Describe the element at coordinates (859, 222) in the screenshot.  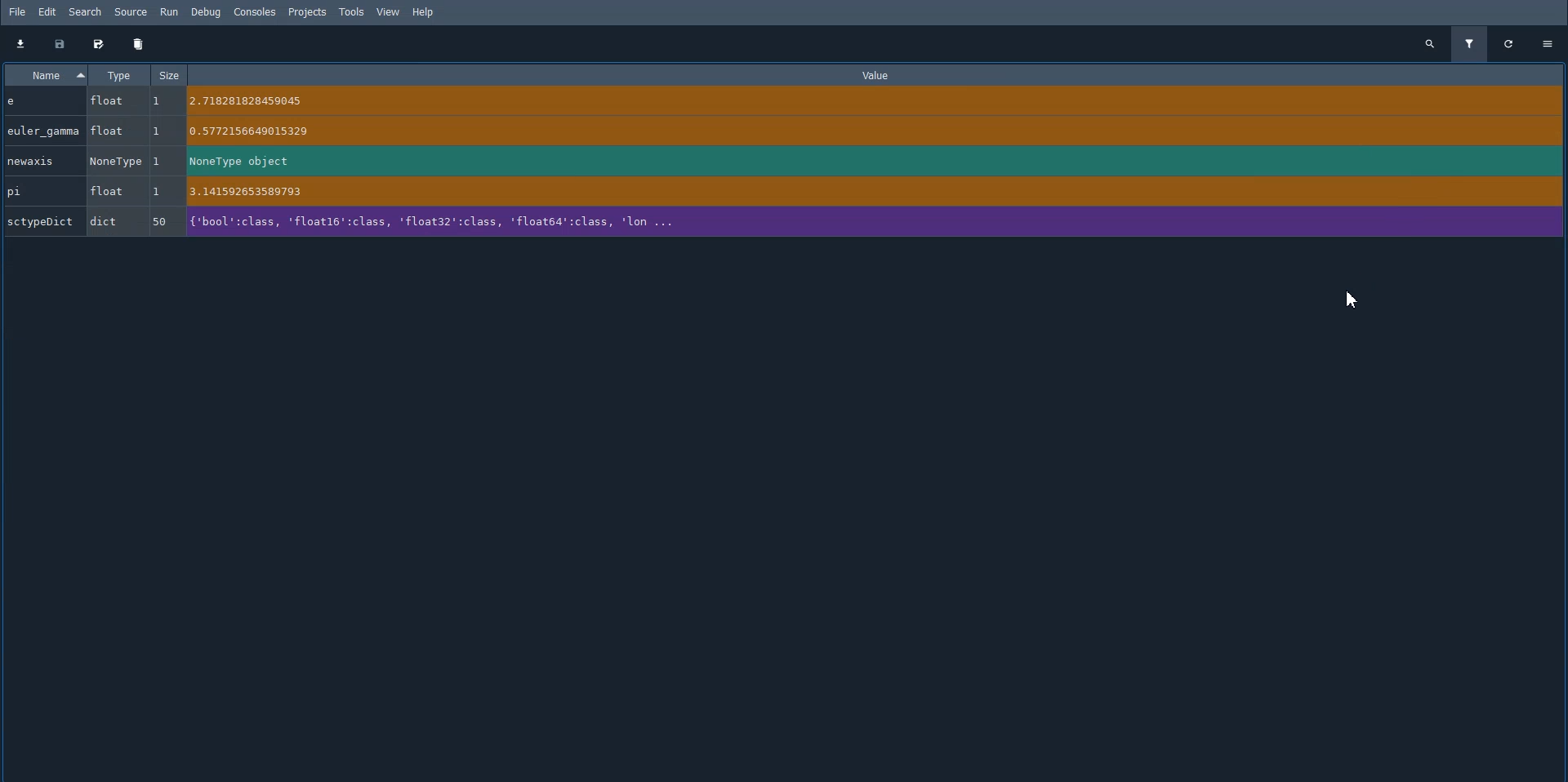
I see `{'bool':class, 'floatl6':class, 'float32':class, 'float6a’:class, ‘lon ...` at that location.